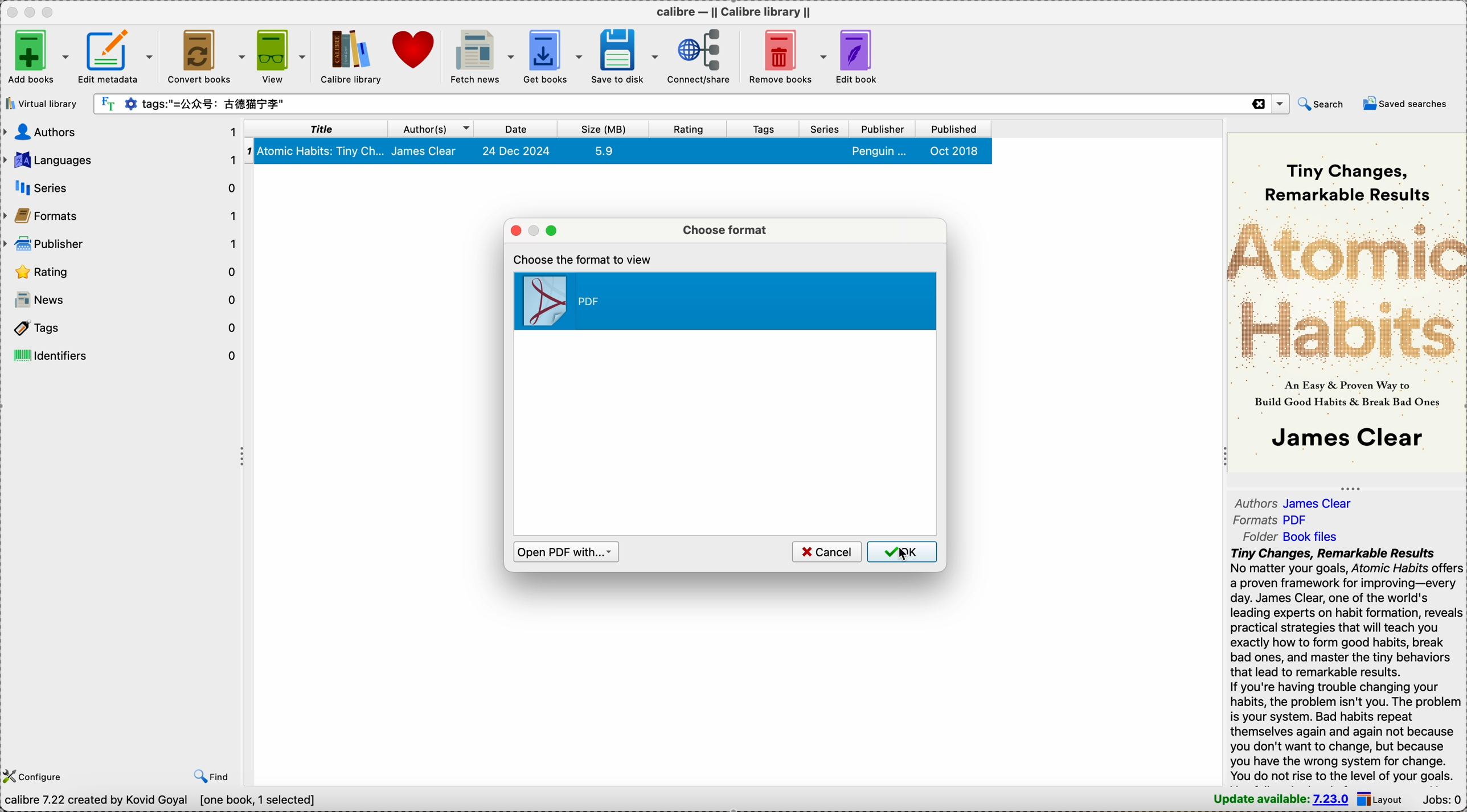 Image resolution: width=1467 pixels, height=812 pixels. Describe the element at coordinates (212, 777) in the screenshot. I see `find` at that location.